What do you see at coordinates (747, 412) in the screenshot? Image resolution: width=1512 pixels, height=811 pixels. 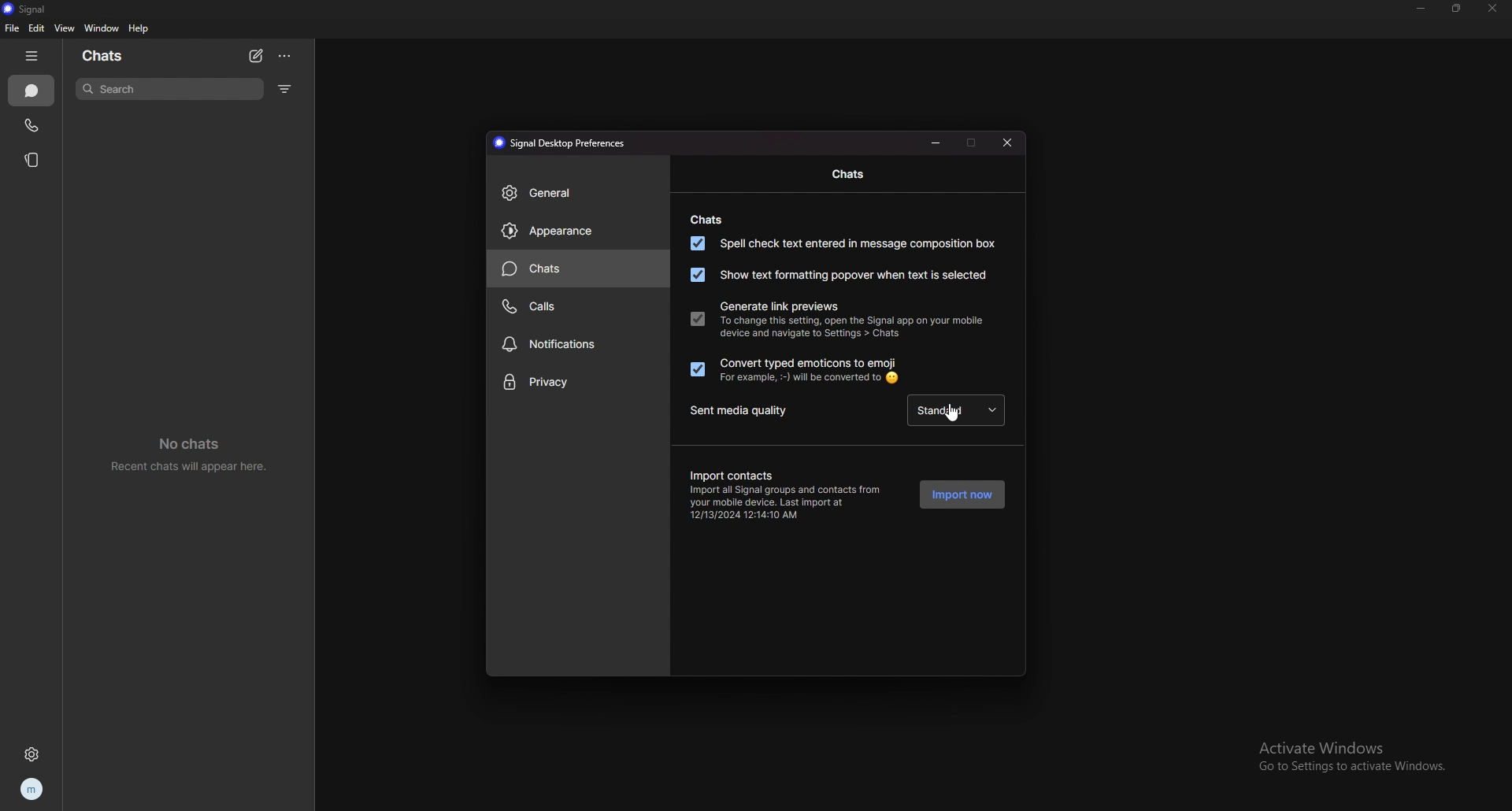 I see `sent media quality` at bounding box center [747, 412].